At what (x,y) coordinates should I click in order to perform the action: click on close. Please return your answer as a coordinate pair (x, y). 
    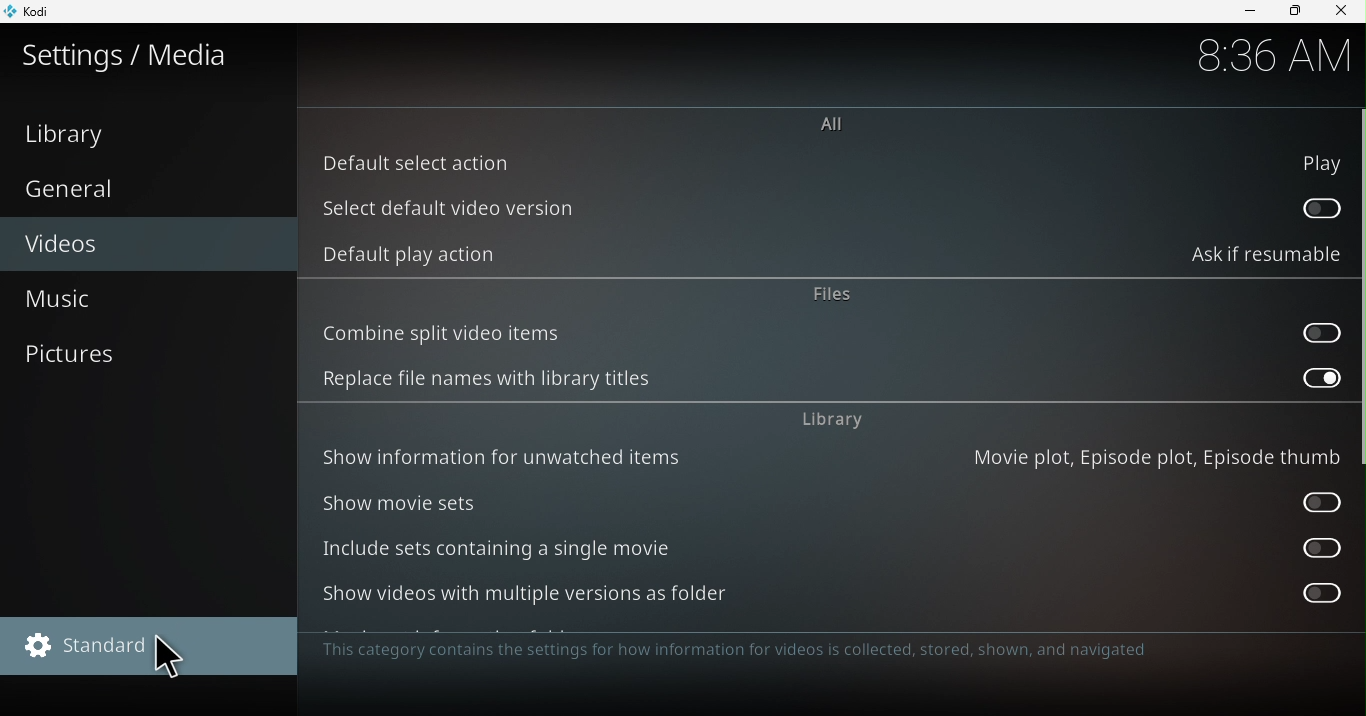
    Looking at the image, I should click on (1344, 11).